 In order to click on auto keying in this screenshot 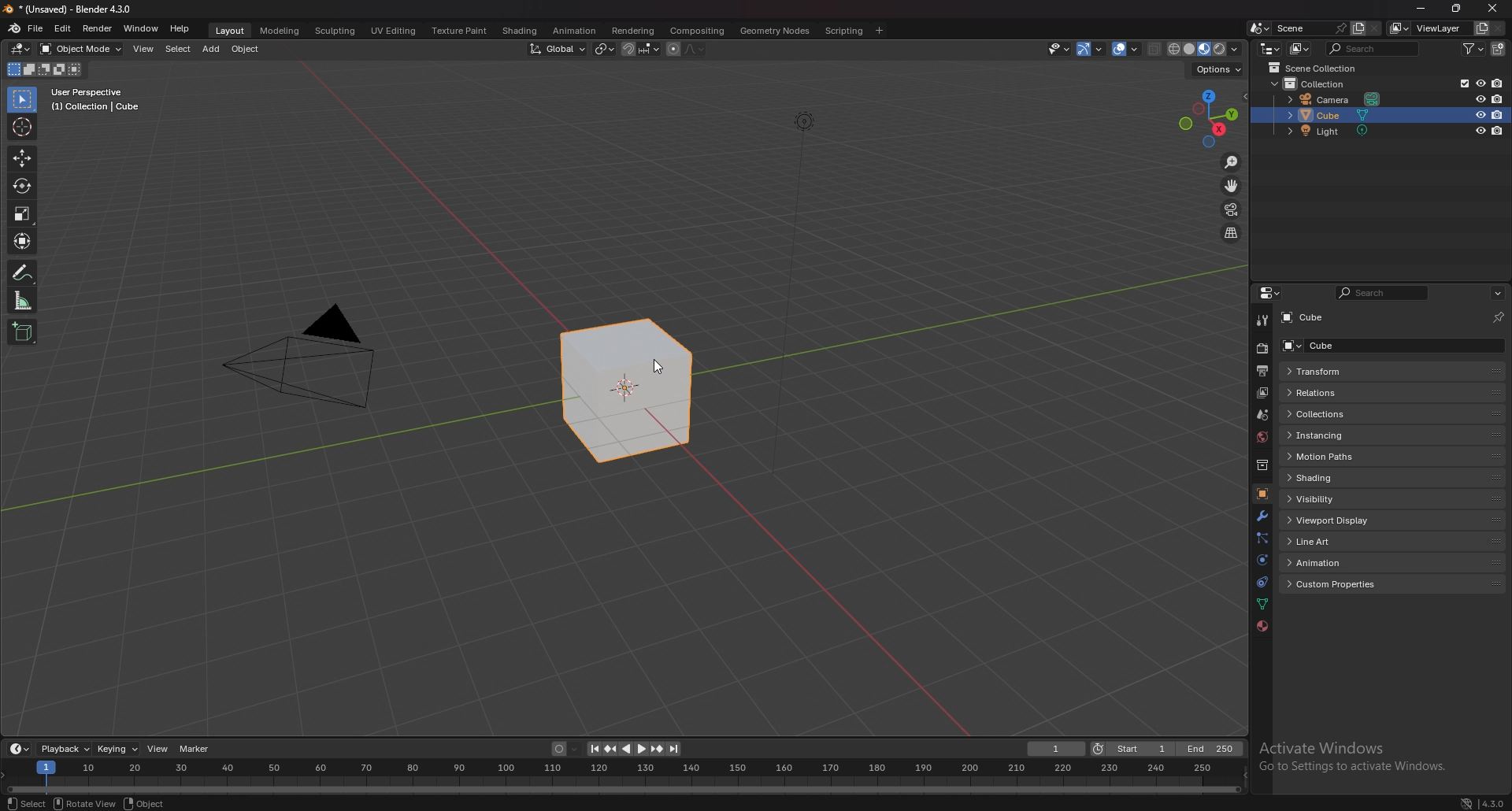, I will do `click(566, 749)`.